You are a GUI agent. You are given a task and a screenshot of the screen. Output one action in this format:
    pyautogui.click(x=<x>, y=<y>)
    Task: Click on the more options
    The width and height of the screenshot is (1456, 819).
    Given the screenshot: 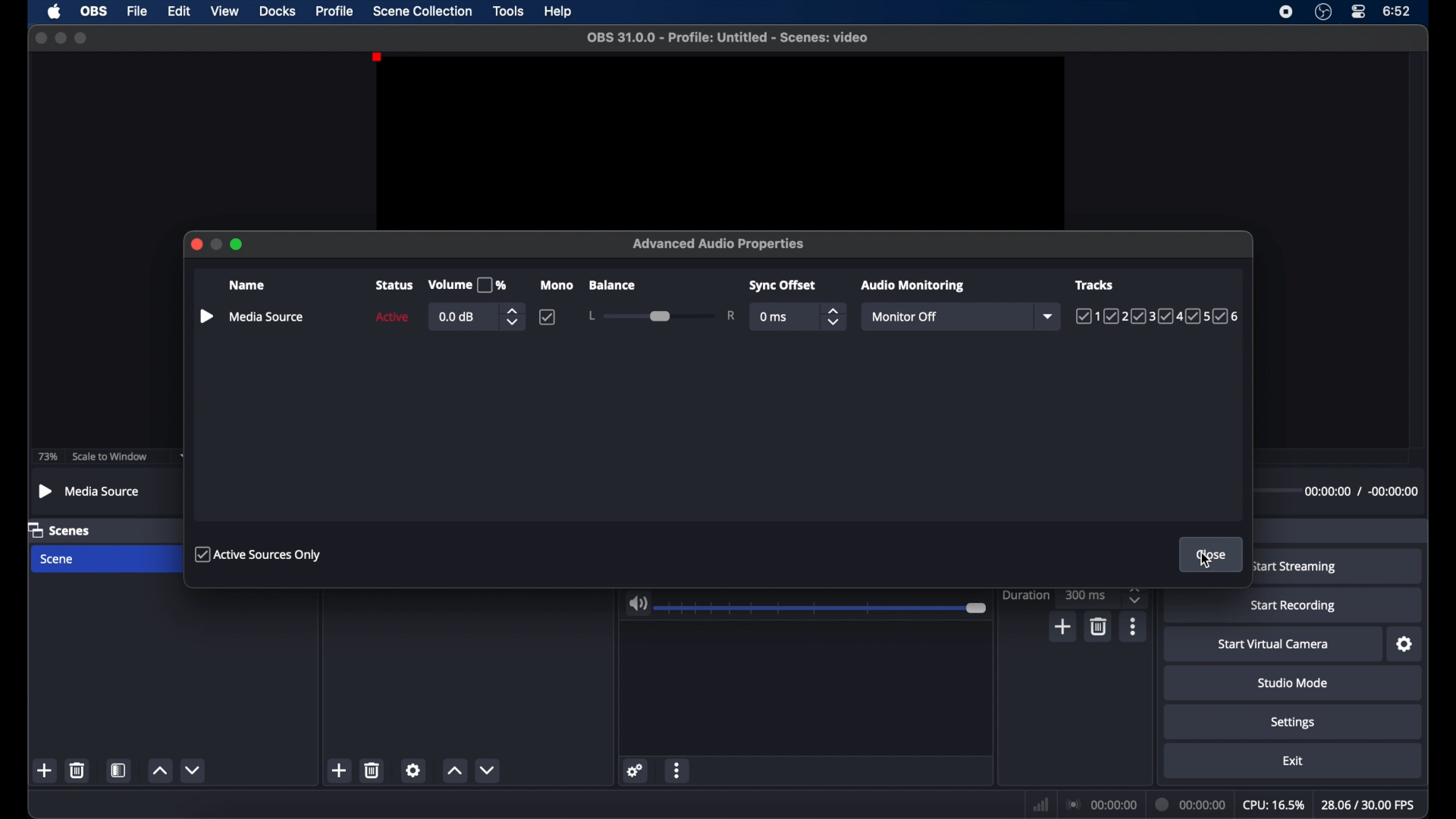 What is the action you would take?
    pyautogui.click(x=1133, y=626)
    